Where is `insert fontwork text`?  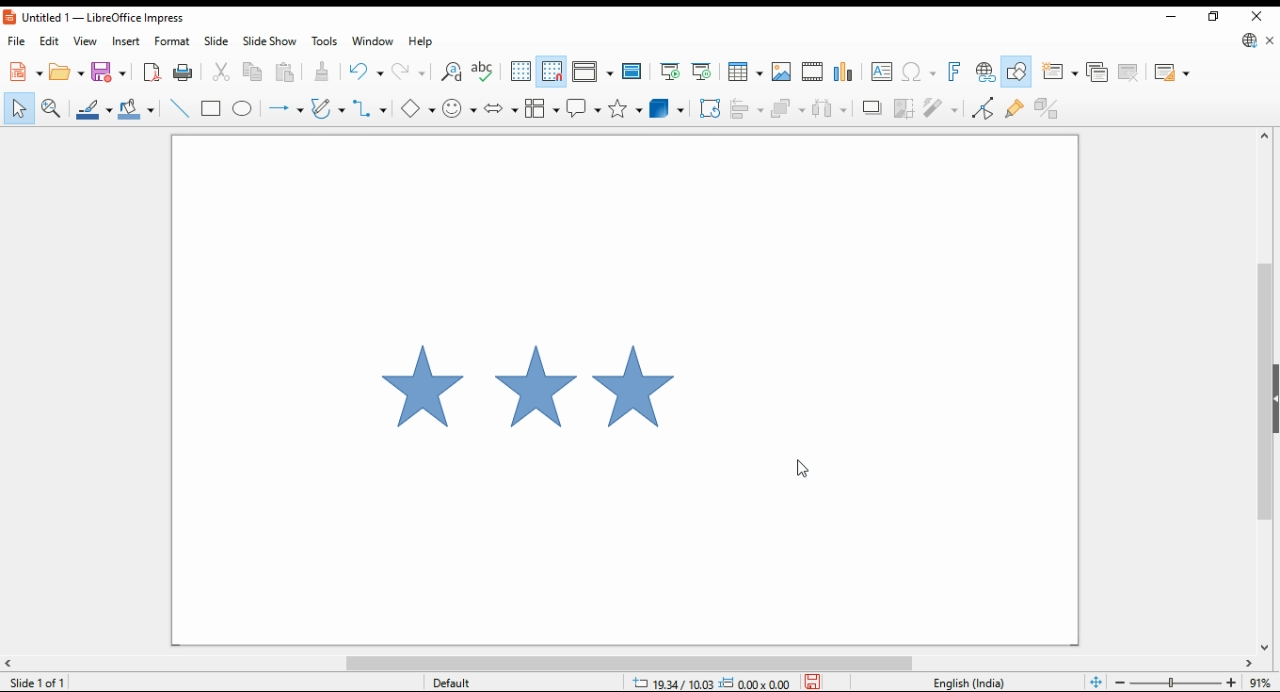
insert fontwork text is located at coordinates (953, 71).